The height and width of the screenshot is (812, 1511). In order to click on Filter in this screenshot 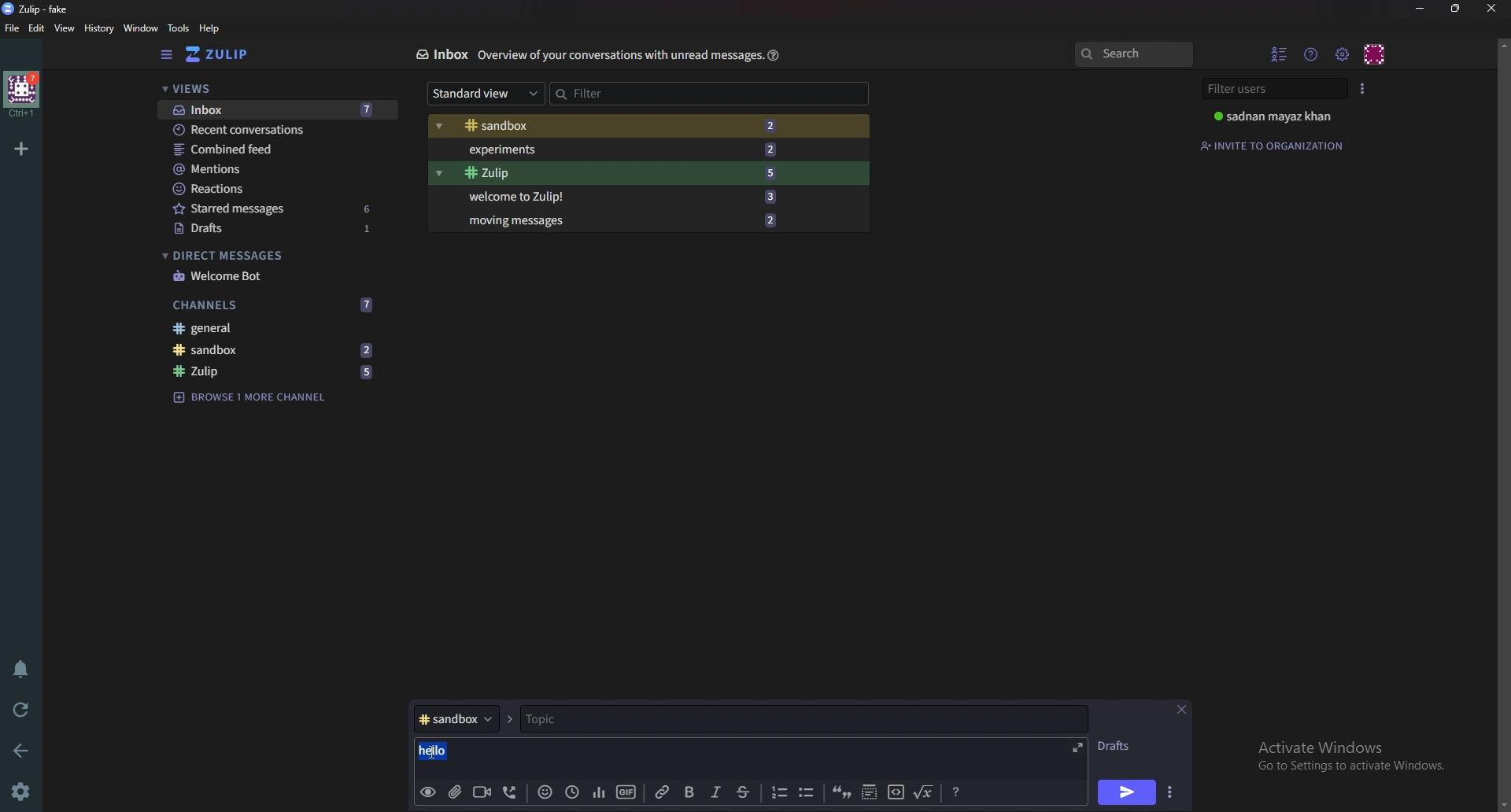, I will do `click(661, 93)`.